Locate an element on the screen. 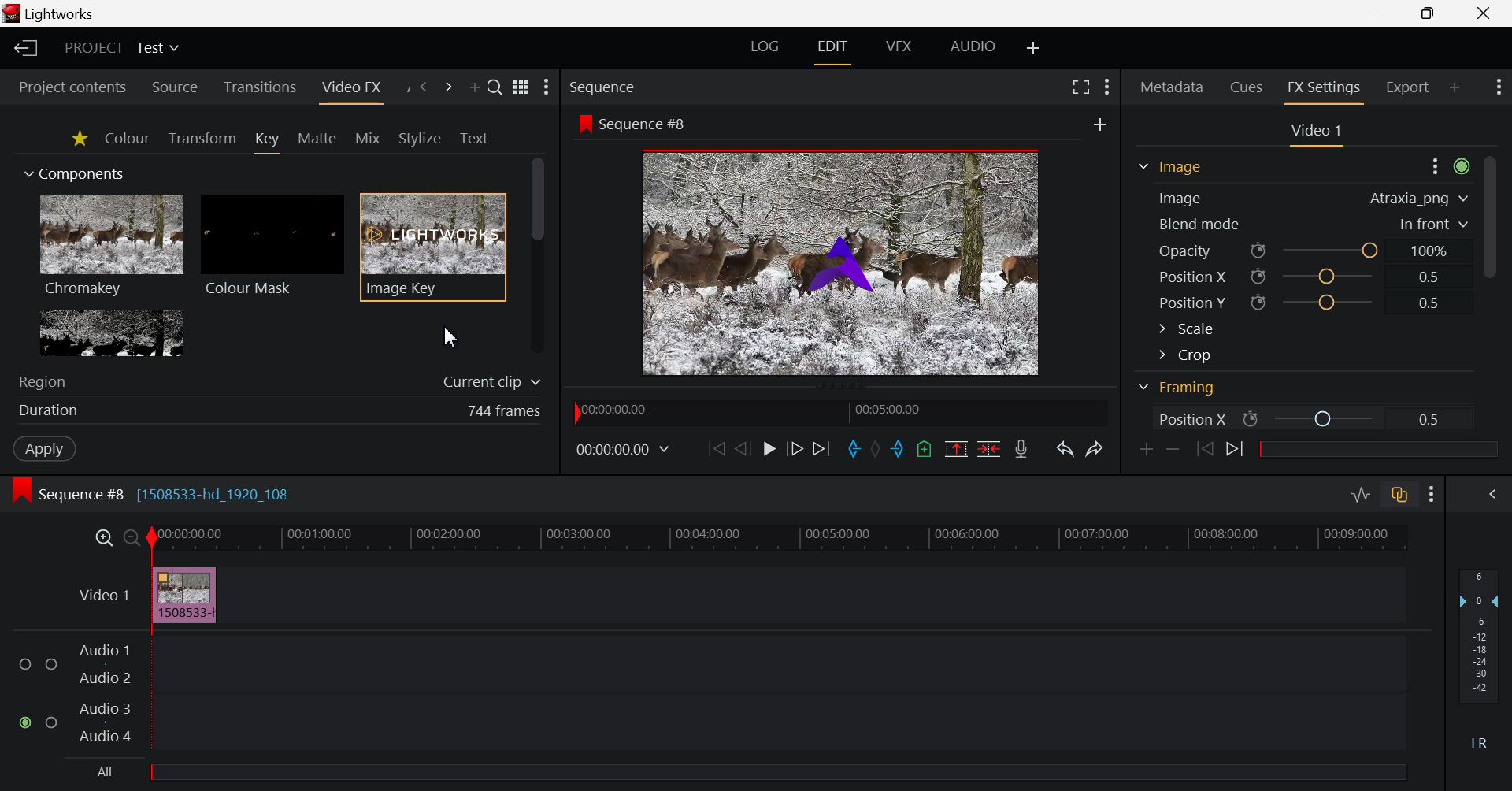 The image size is (1512, 791). Remove all marked section is located at coordinates (956, 450).